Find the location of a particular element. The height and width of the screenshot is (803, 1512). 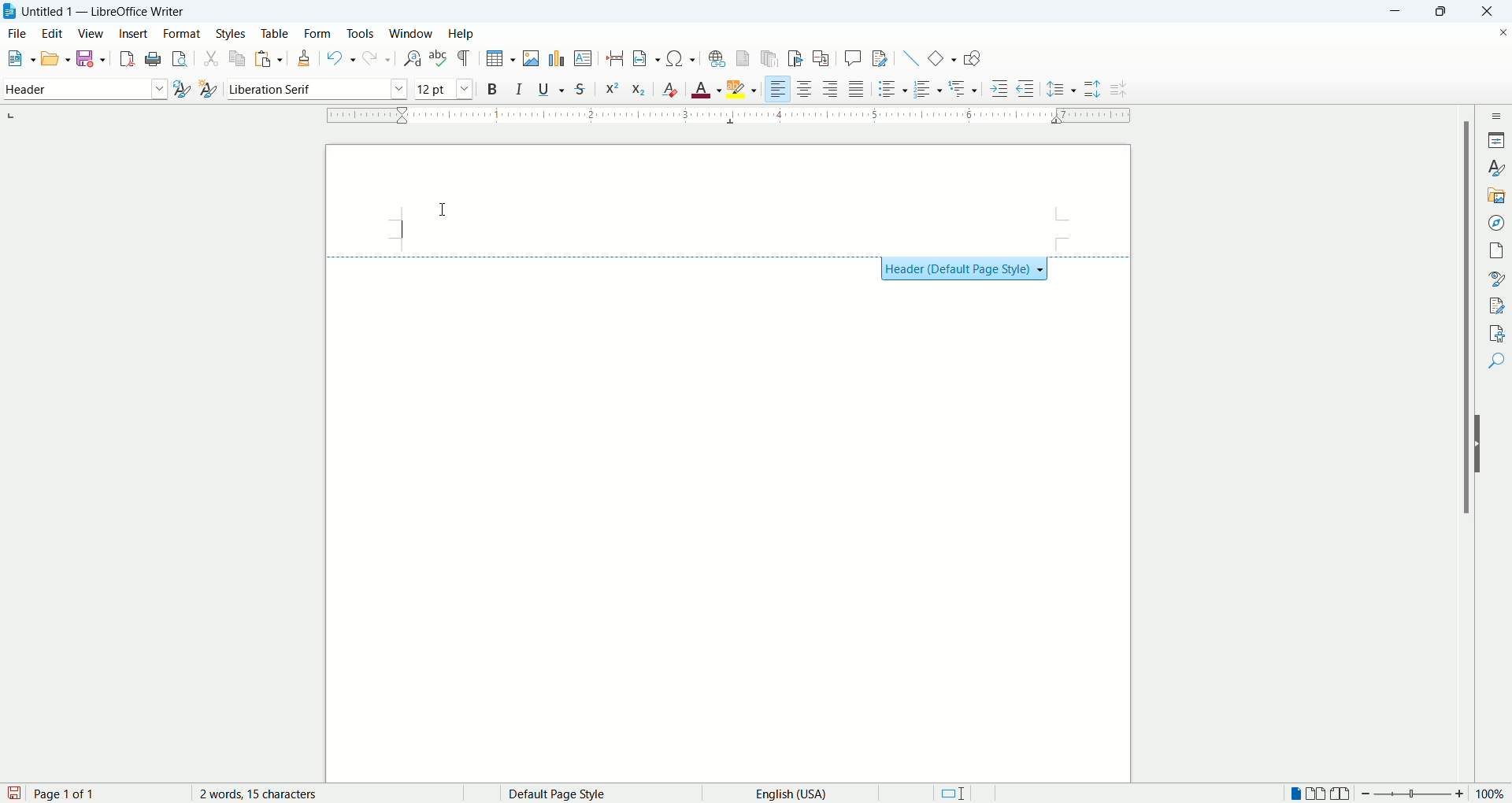

Header (Default Page Style) + } is located at coordinates (967, 270).